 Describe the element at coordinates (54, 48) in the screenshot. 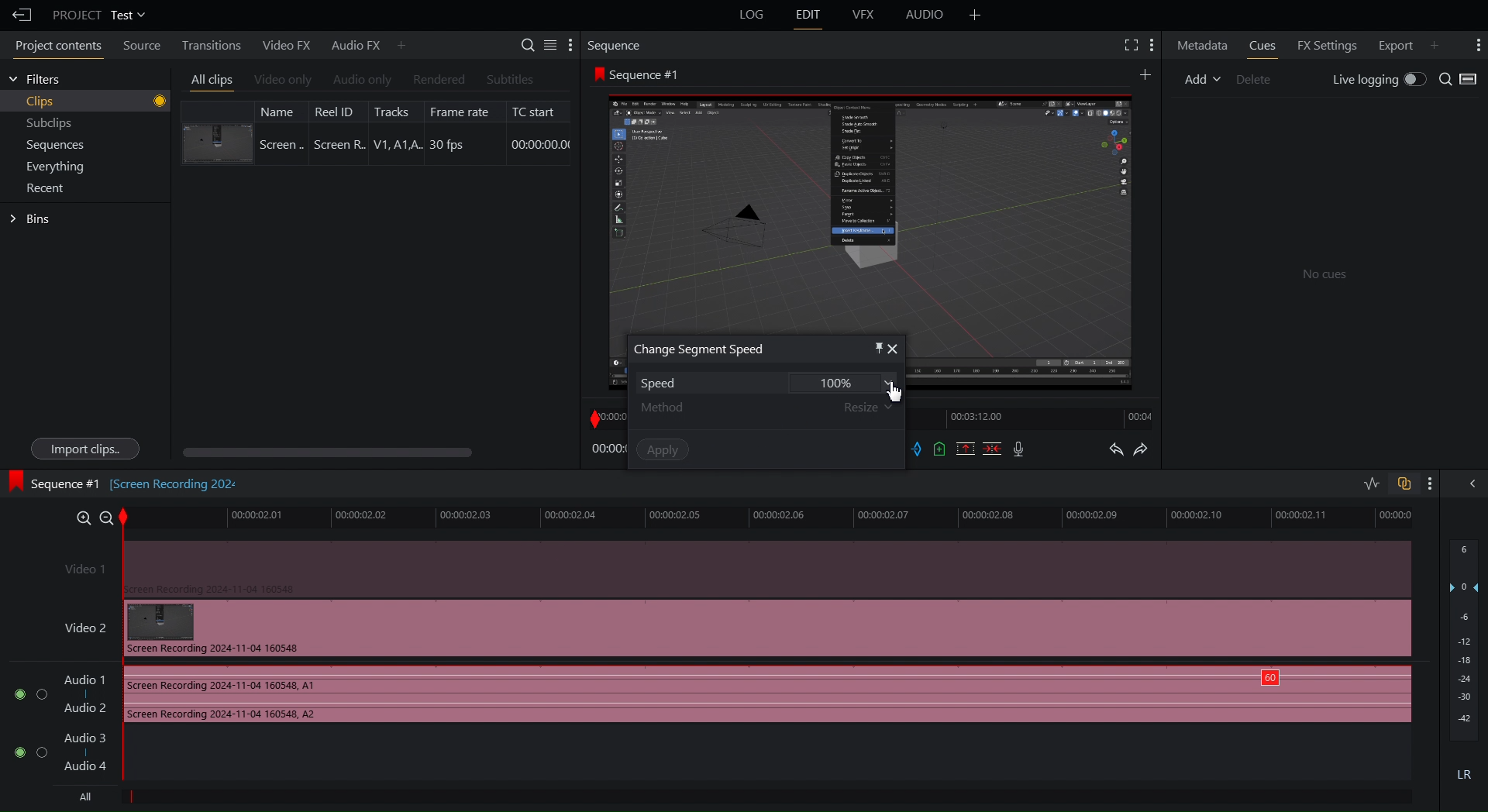

I see `Project contents` at that location.